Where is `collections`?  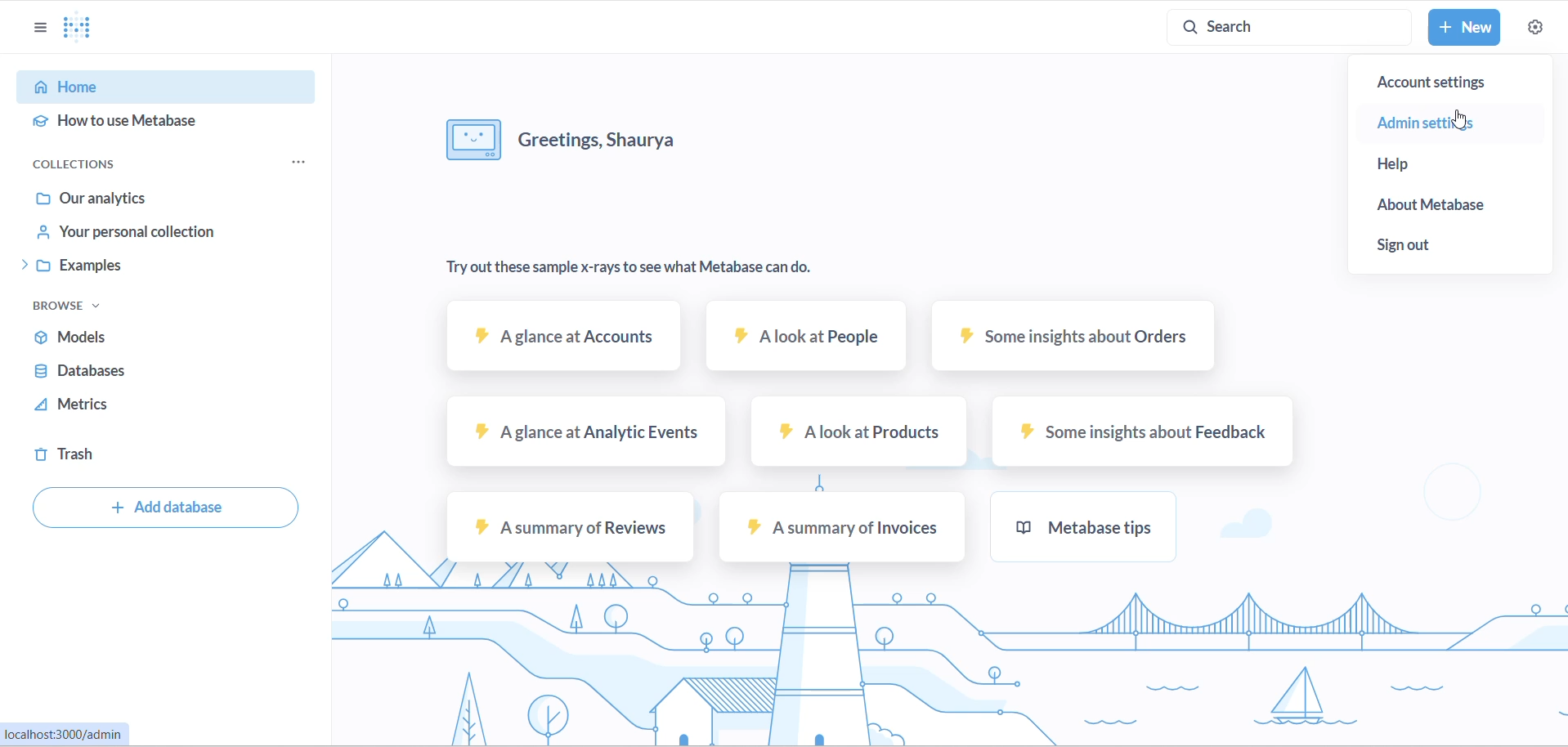 collections is located at coordinates (91, 159).